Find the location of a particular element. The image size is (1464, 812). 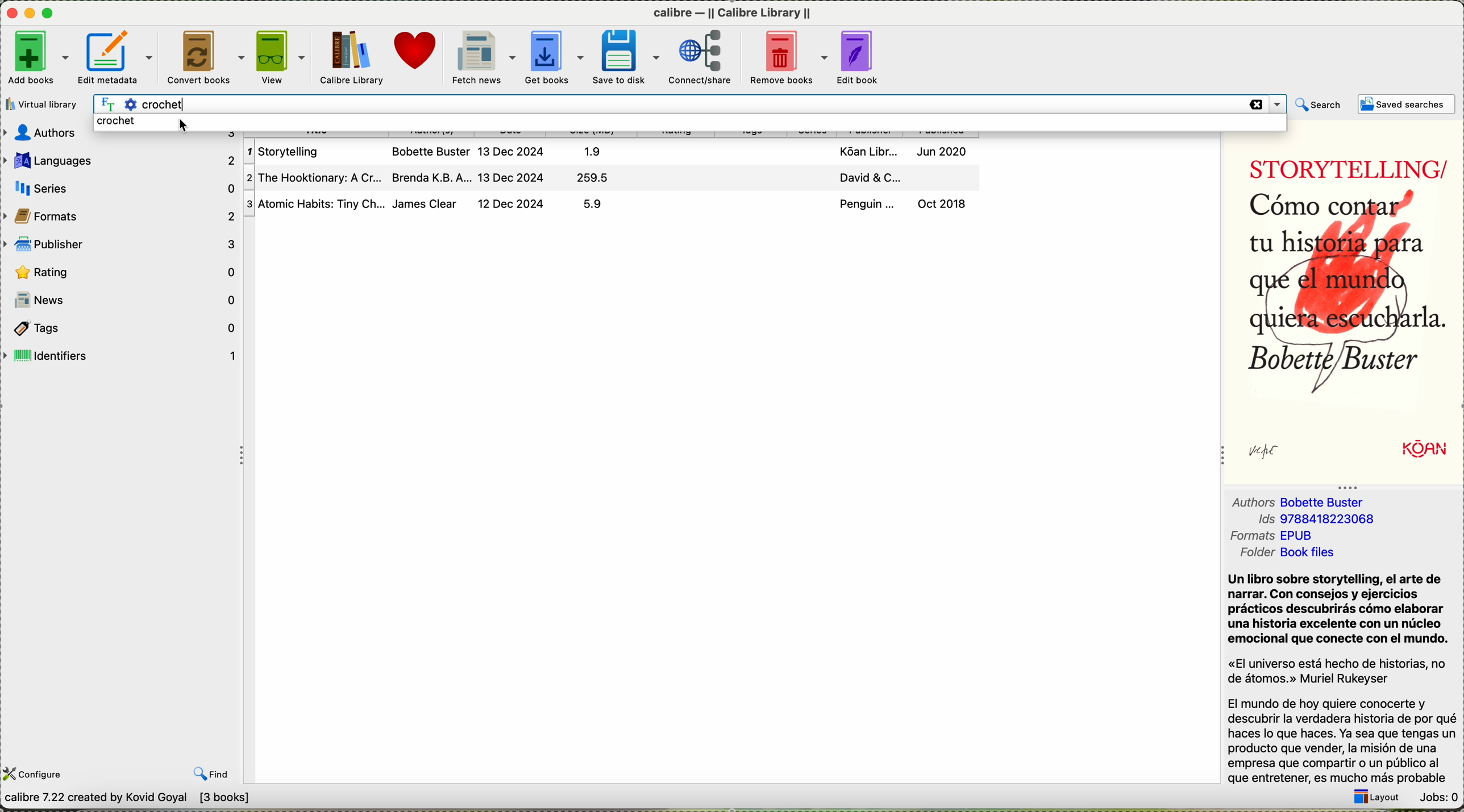

Atomic Habits: Tiny Ch. is located at coordinates (315, 204).